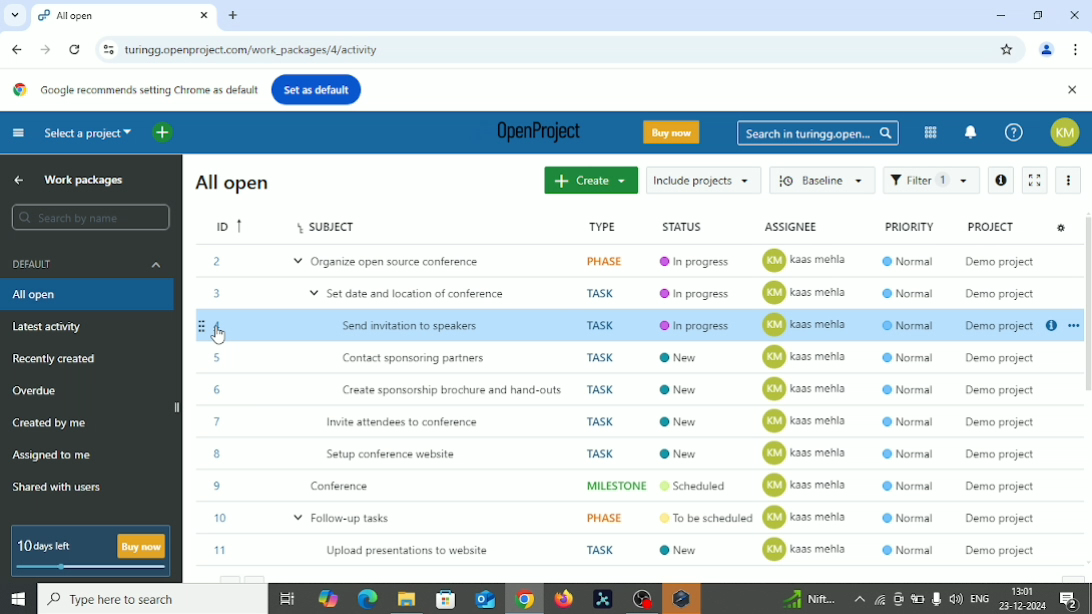 The height and width of the screenshot is (614, 1092). I want to click on 10 days left, so click(46, 547).